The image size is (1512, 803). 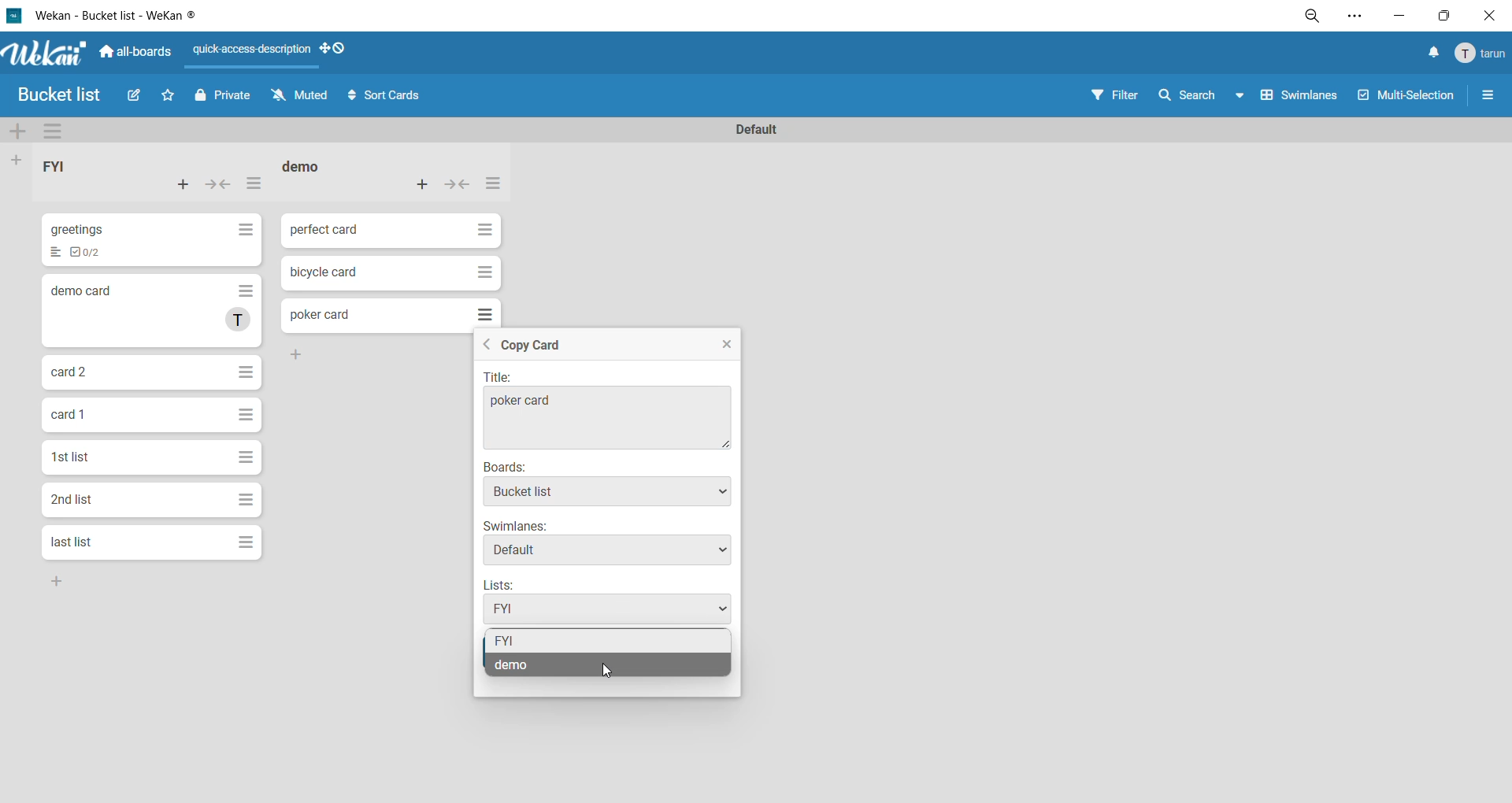 I want to click on fyi, so click(x=513, y=641).